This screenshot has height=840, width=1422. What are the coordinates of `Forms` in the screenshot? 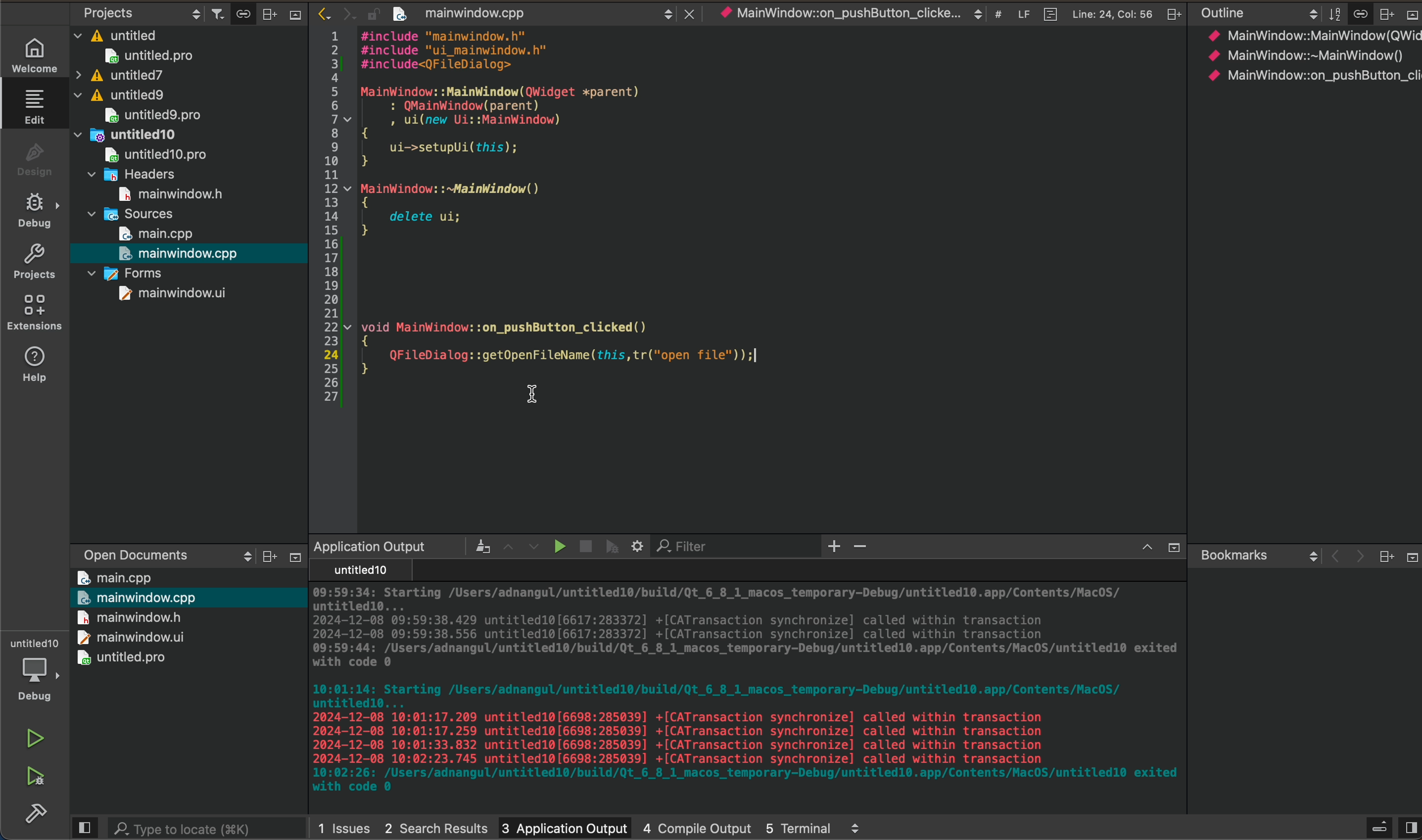 It's located at (125, 272).